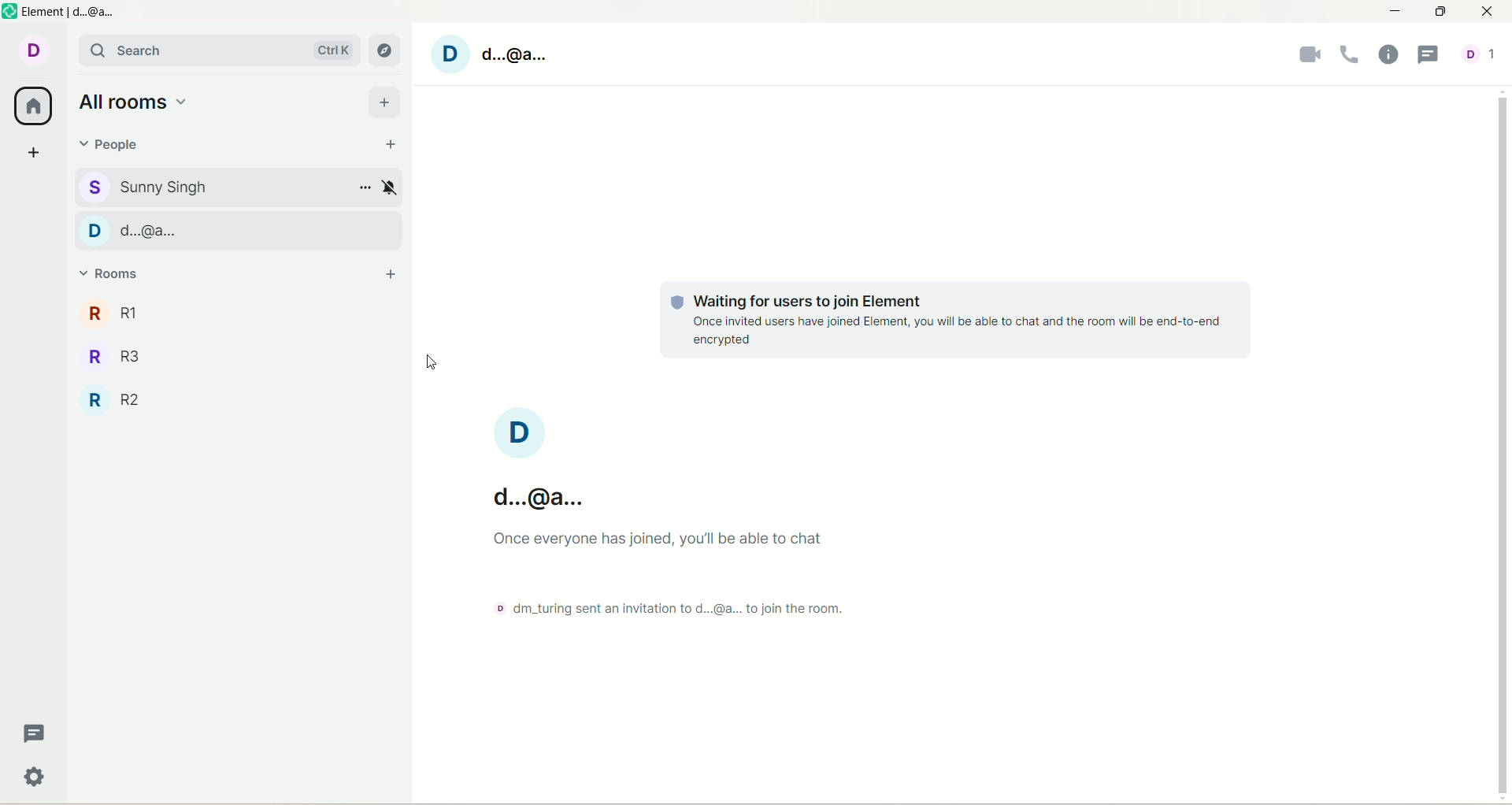 The height and width of the screenshot is (805, 1512). I want to click on account, so click(1482, 50).